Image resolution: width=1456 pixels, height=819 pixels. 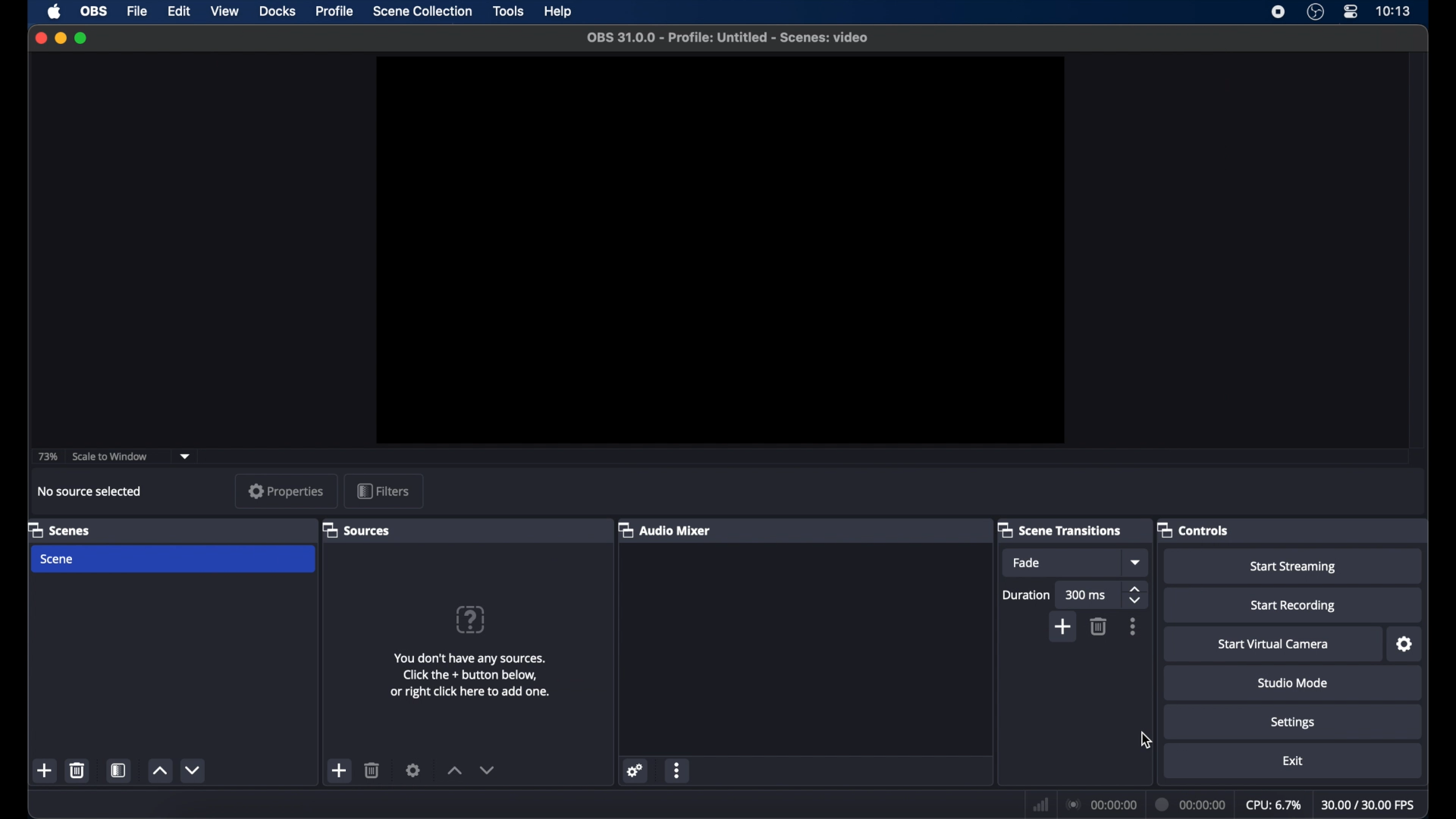 What do you see at coordinates (336, 11) in the screenshot?
I see `profile` at bounding box center [336, 11].